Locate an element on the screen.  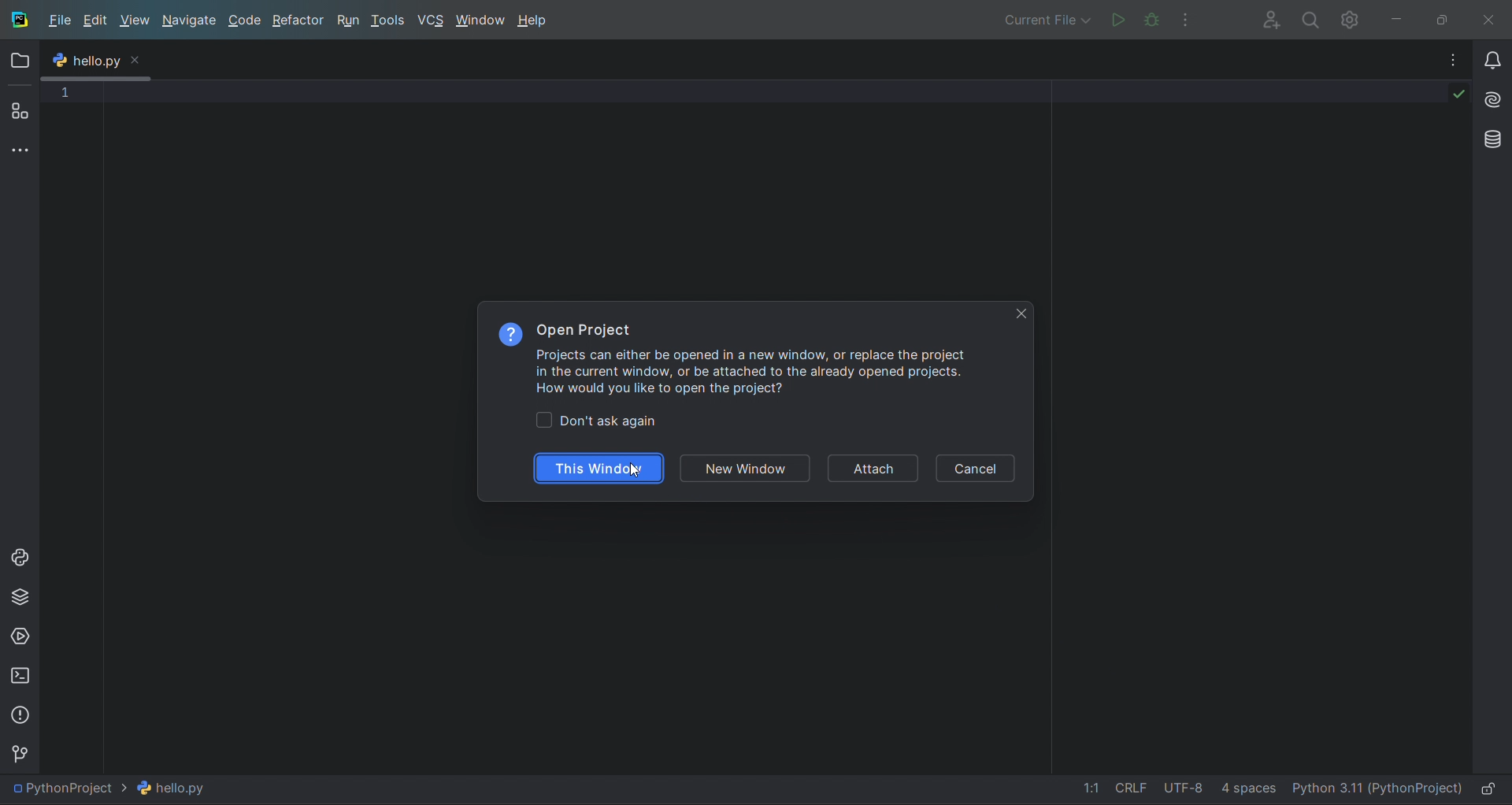
attach is located at coordinates (878, 468).